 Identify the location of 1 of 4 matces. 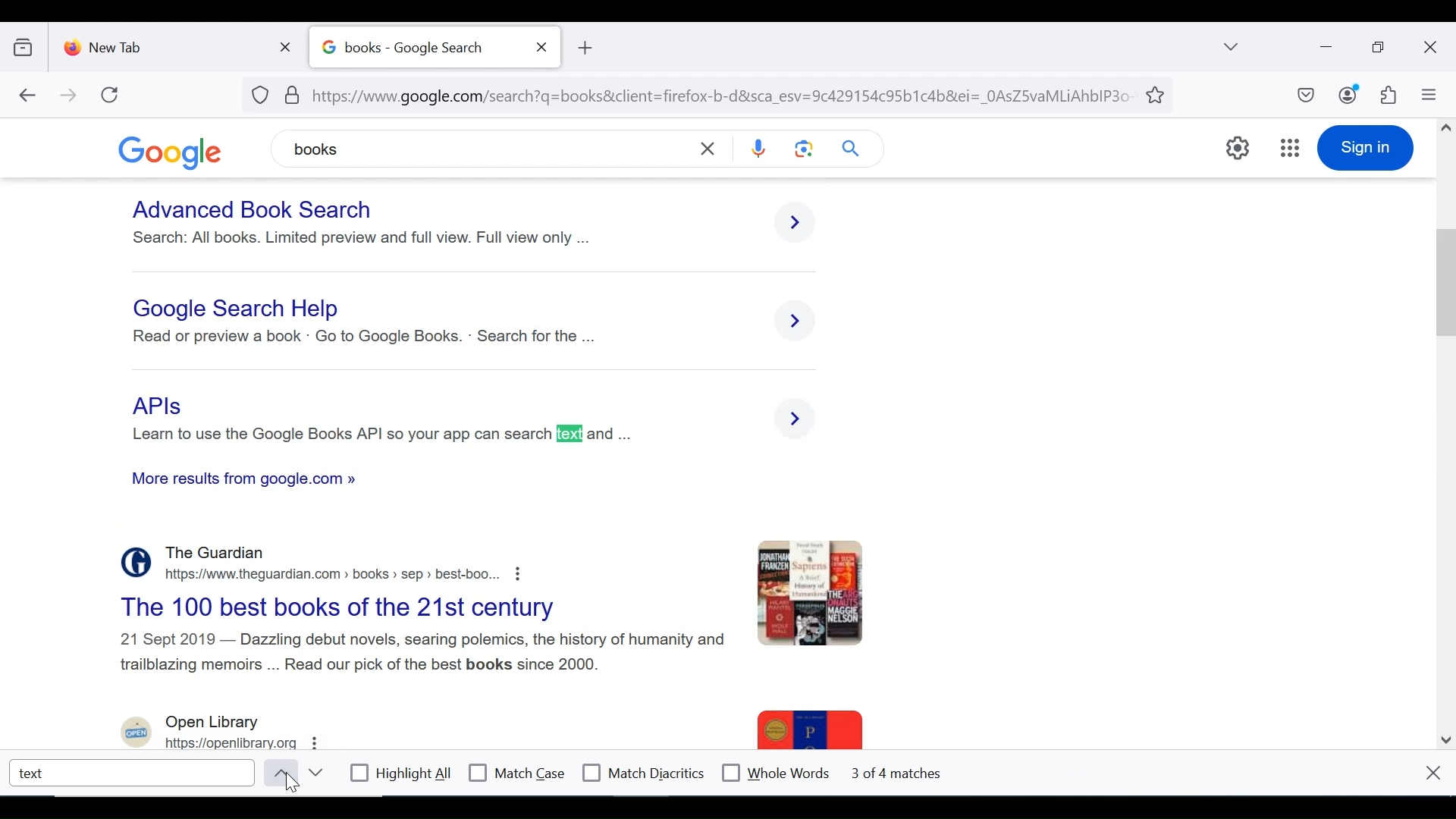
(899, 773).